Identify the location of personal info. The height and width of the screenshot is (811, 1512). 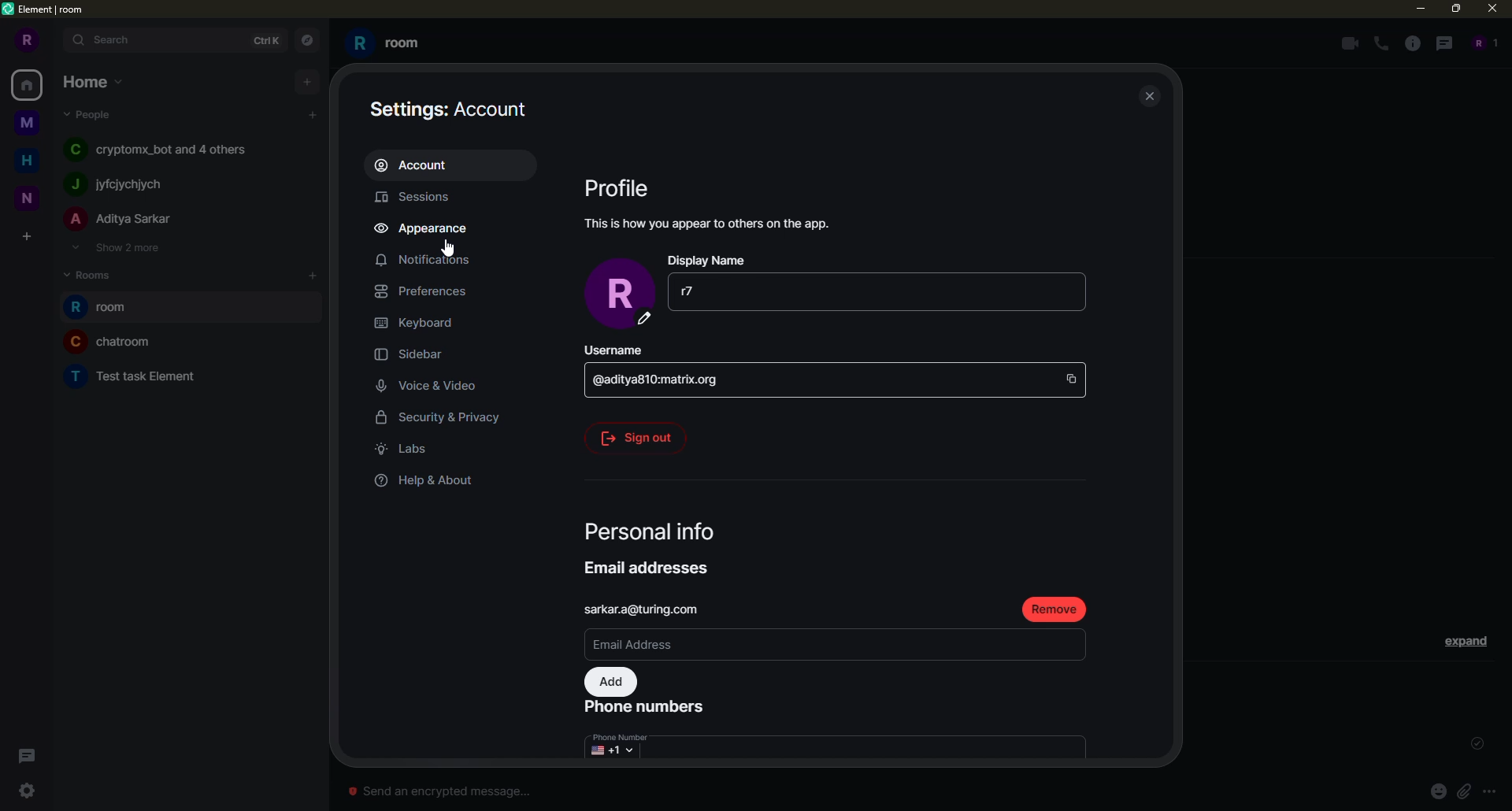
(652, 532).